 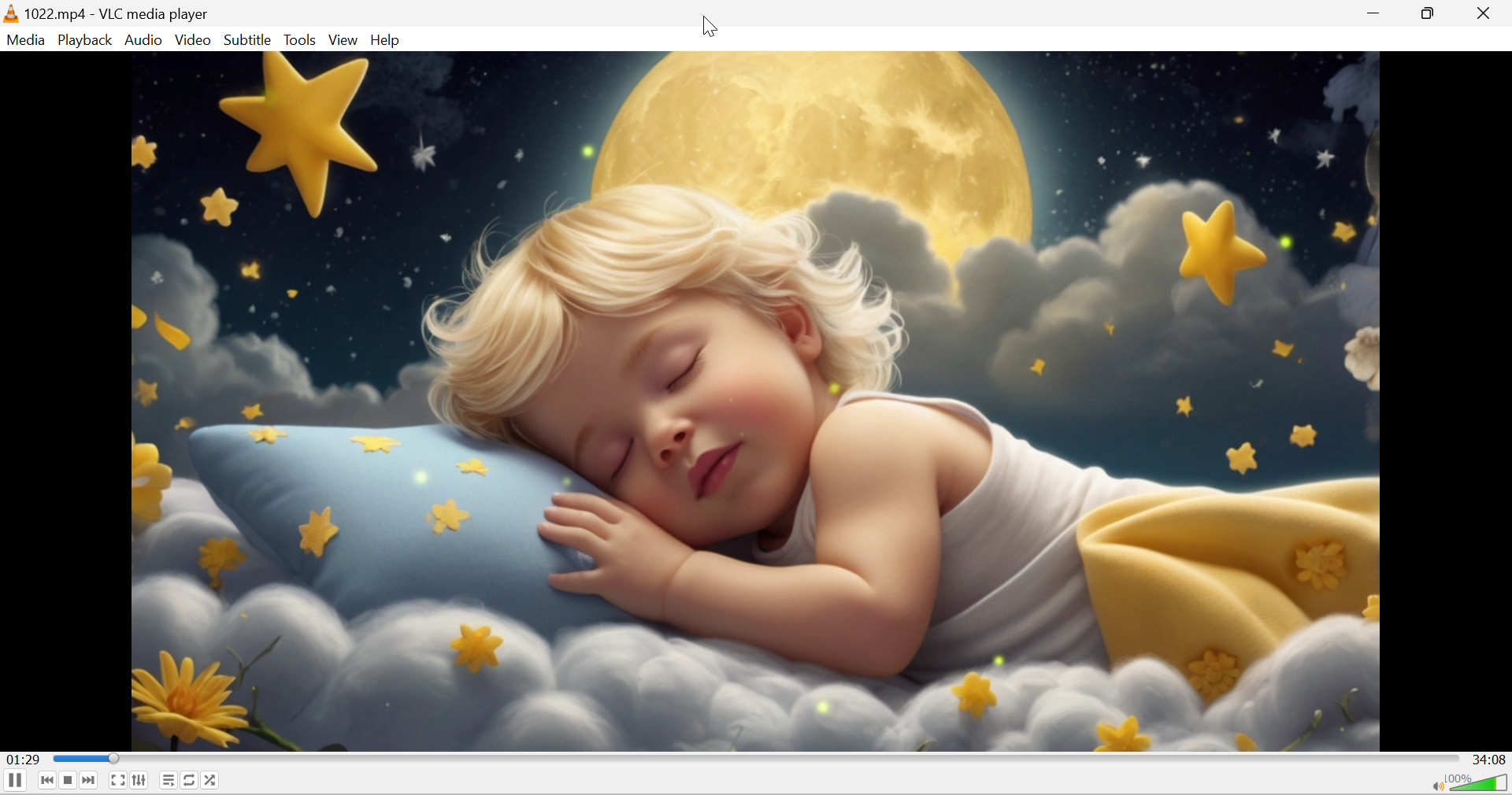 What do you see at coordinates (1477, 783) in the screenshot?
I see `Volume` at bounding box center [1477, 783].